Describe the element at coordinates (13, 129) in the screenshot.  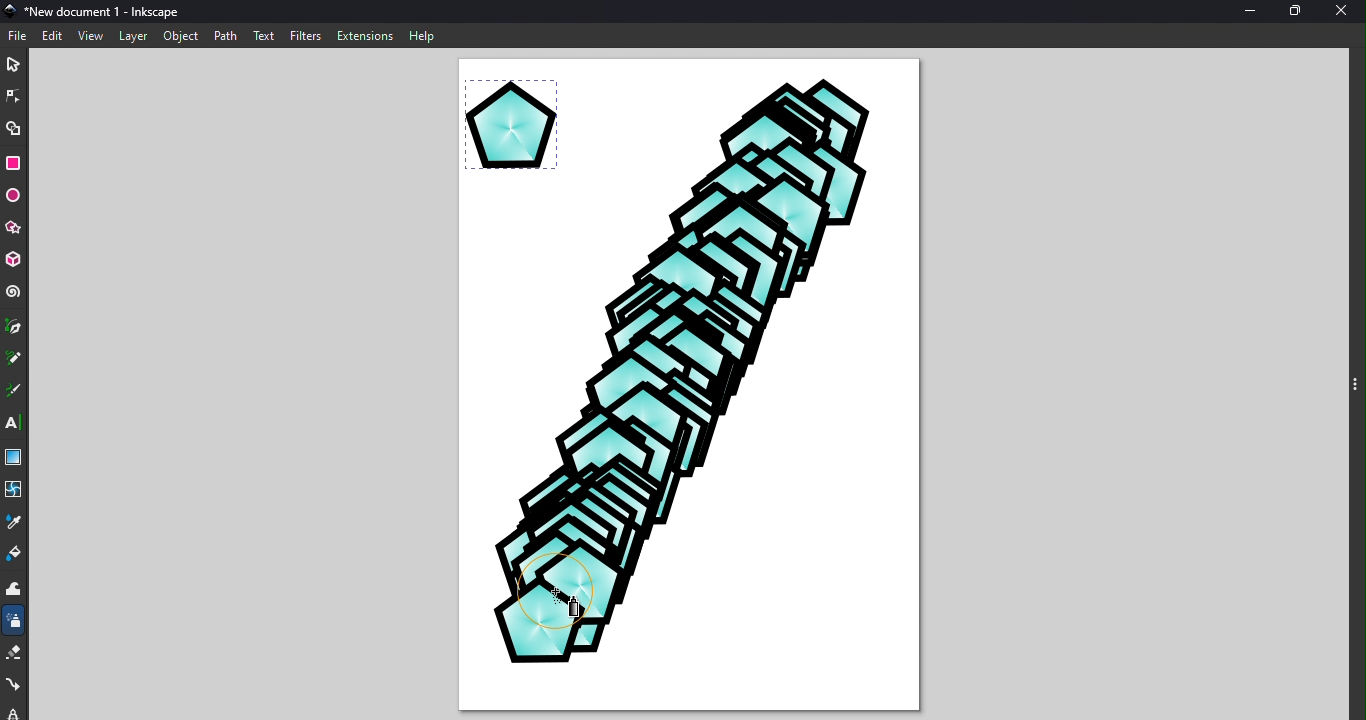
I see `Shape builder tool` at that location.